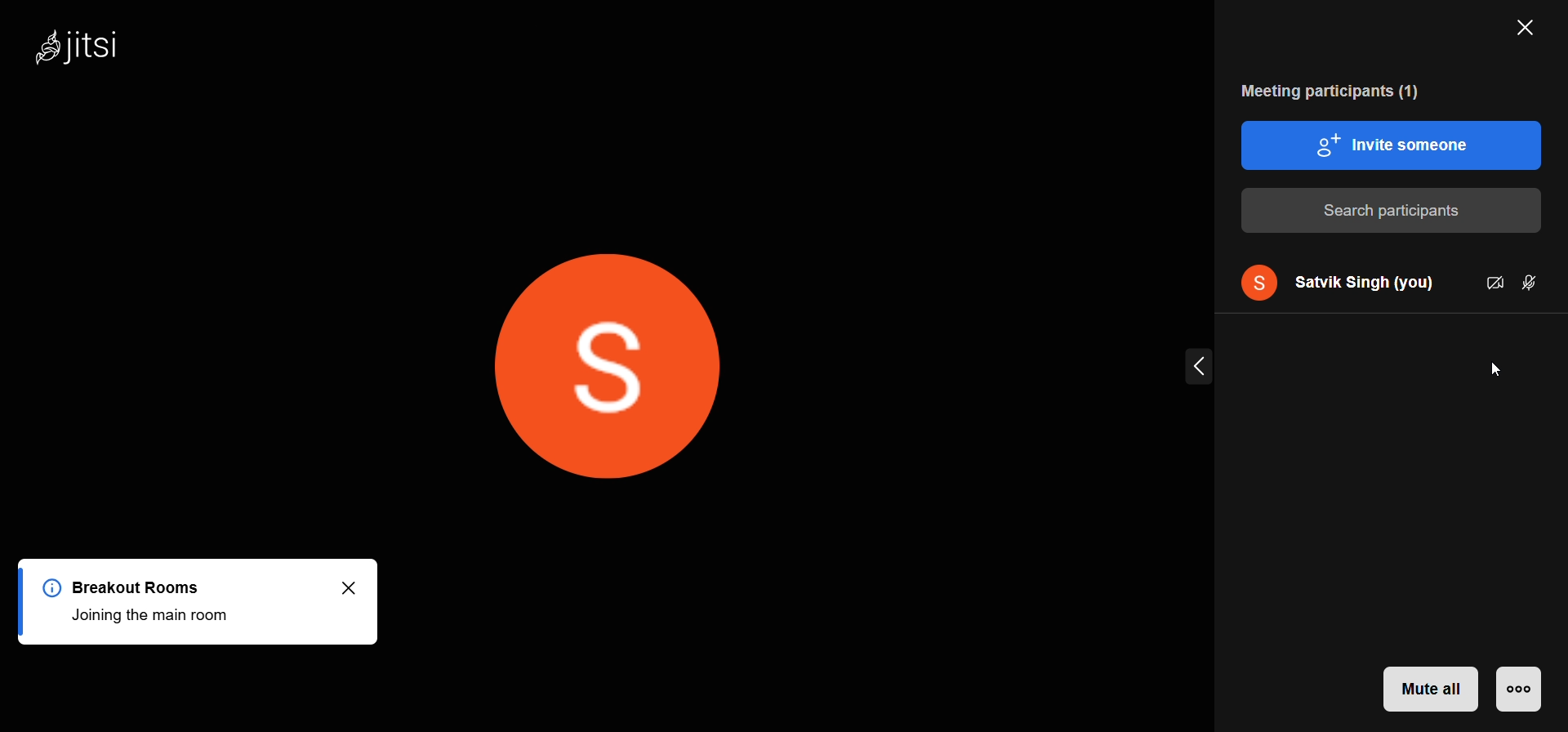 Image resolution: width=1568 pixels, height=732 pixels. I want to click on Satvik Singh (you), so click(1369, 281).